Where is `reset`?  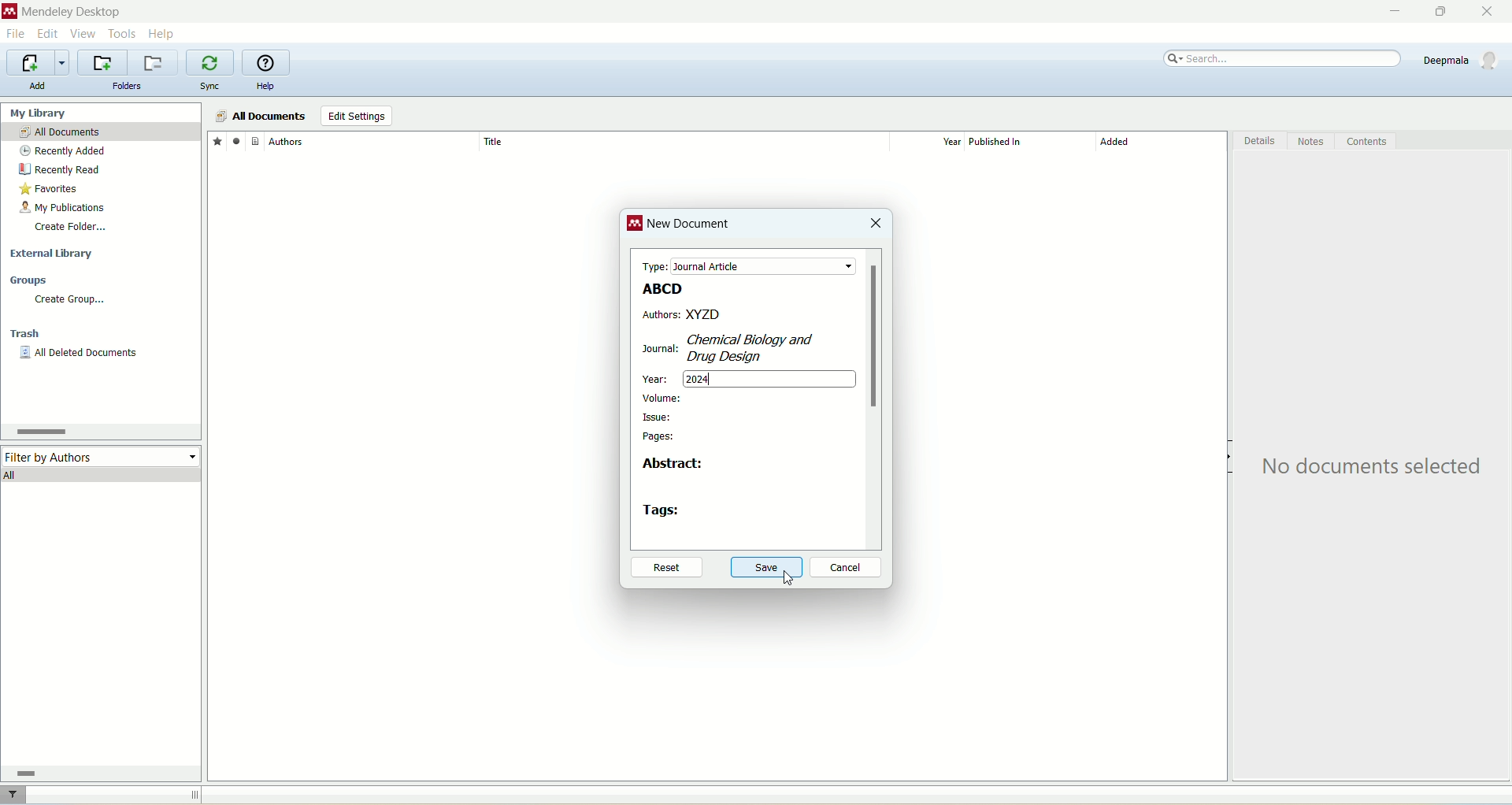
reset is located at coordinates (665, 569).